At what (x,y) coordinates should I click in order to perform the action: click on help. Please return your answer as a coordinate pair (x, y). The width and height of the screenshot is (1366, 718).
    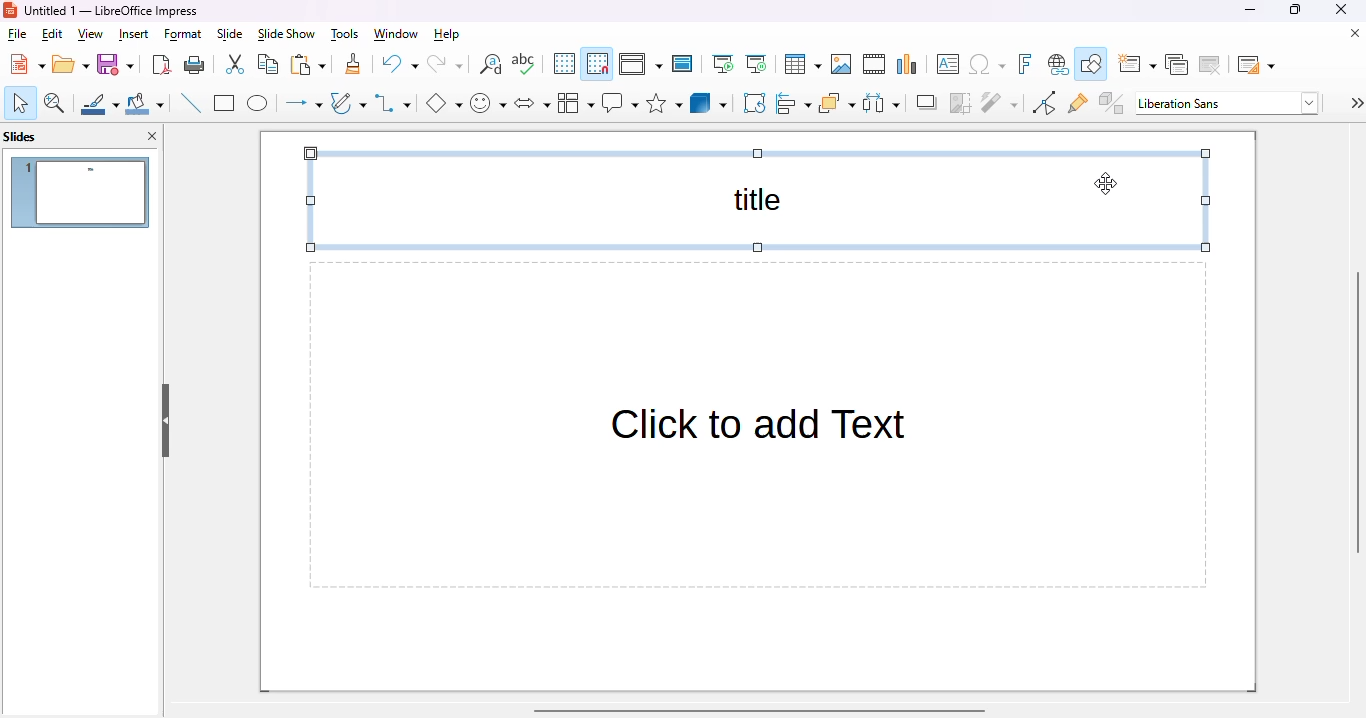
    Looking at the image, I should click on (447, 35).